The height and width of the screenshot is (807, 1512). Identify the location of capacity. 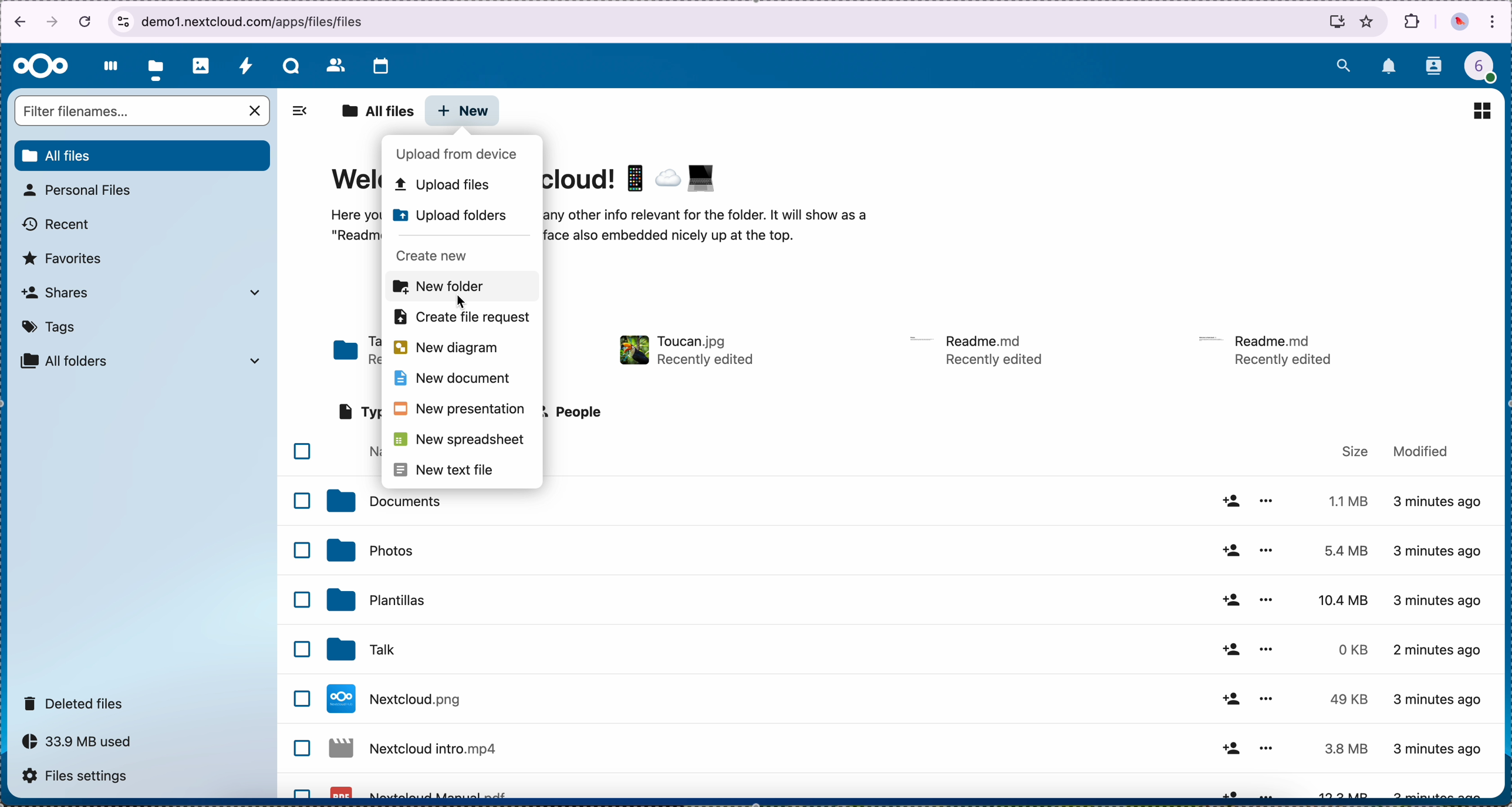
(83, 745).